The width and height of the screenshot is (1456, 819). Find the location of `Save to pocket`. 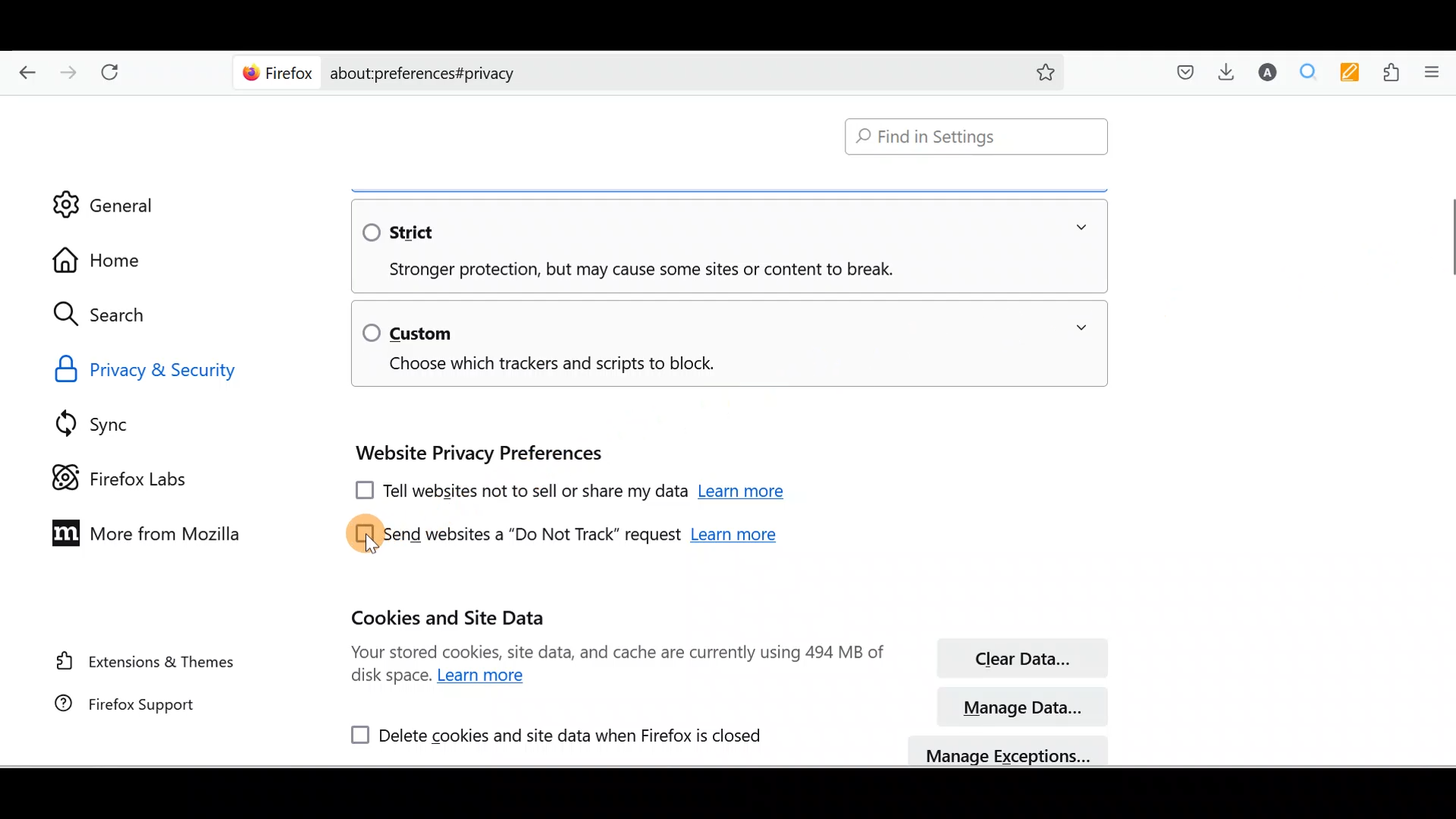

Save to pocket is located at coordinates (1182, 71).